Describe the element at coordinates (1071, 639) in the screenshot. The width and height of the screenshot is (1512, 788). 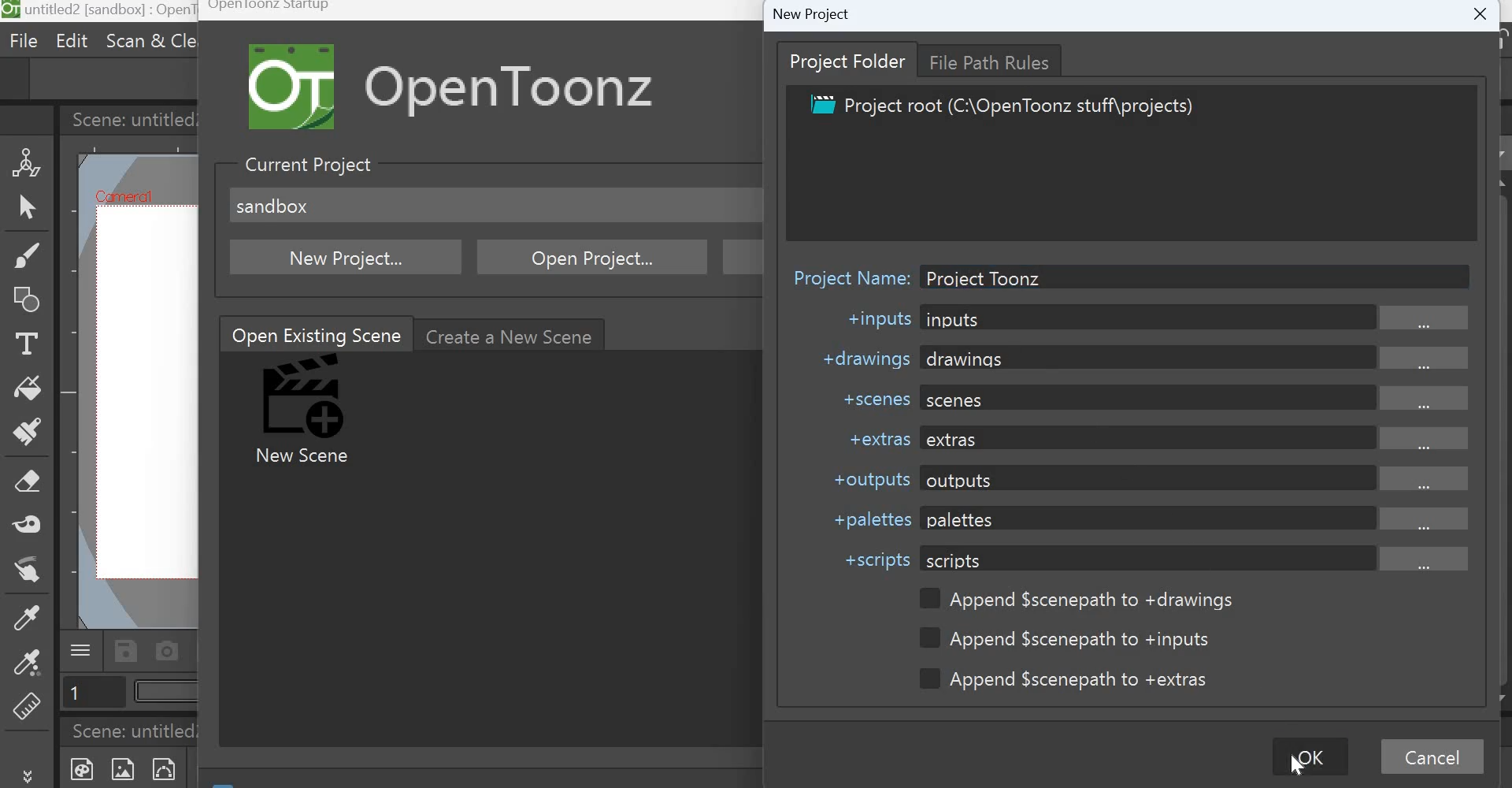
I see `Append $scenepath to +inputs` at that location.